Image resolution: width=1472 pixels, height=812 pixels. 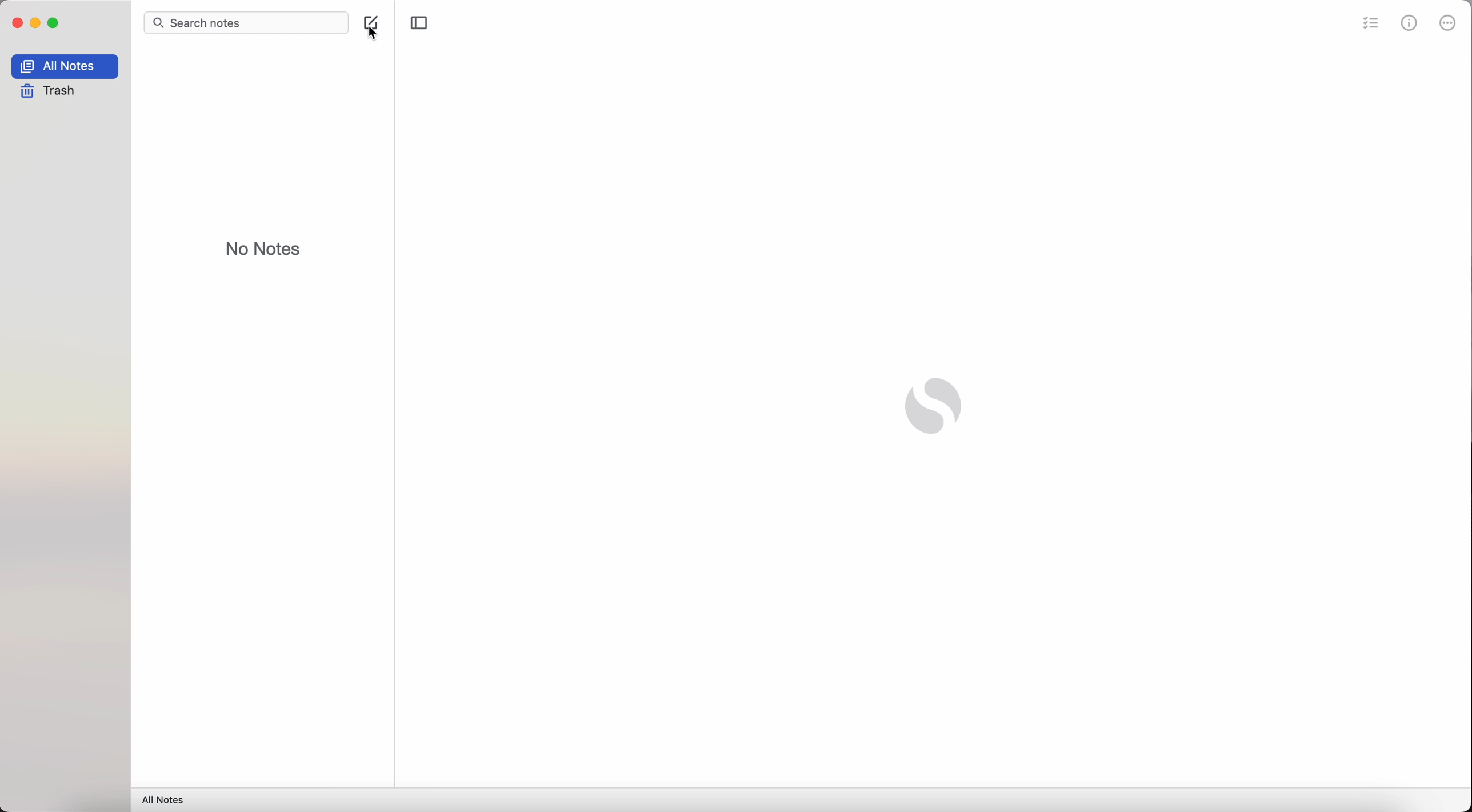 I want to click on toggle sidebar, so click(x=421, y=22).